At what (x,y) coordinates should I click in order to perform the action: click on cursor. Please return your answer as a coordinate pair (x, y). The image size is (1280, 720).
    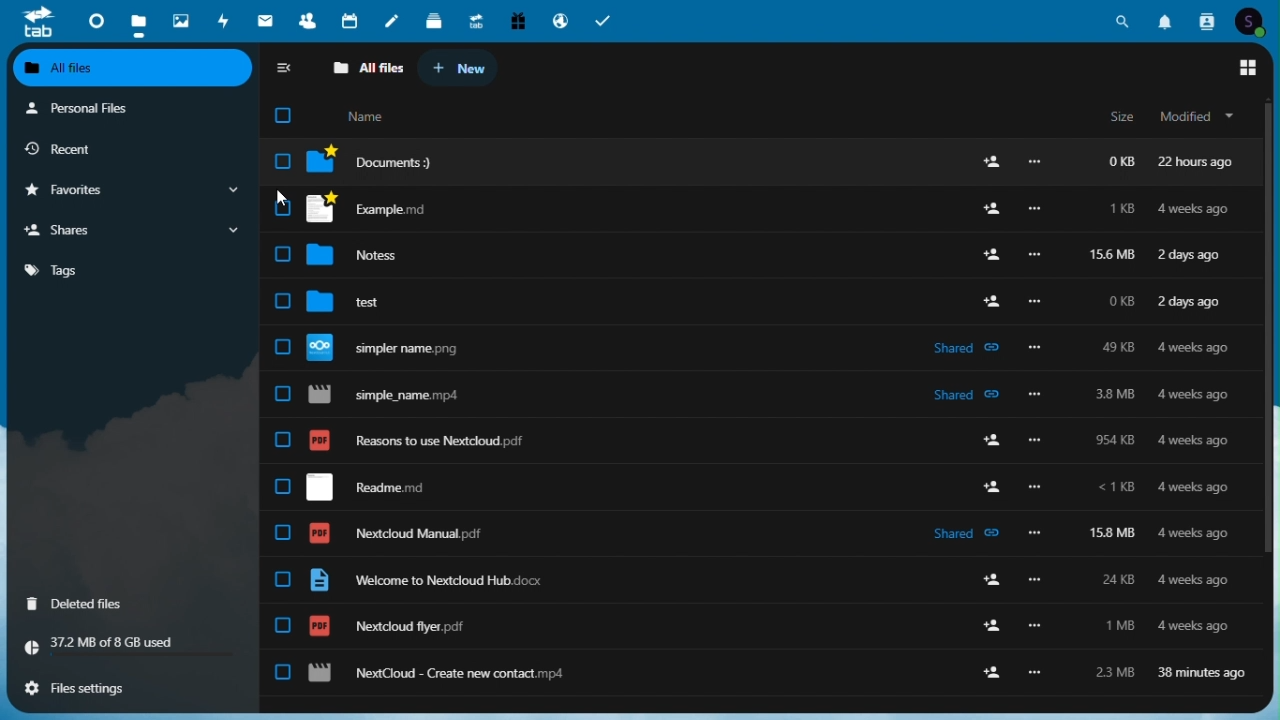
    Looking at the image, I should click on (277, 200).